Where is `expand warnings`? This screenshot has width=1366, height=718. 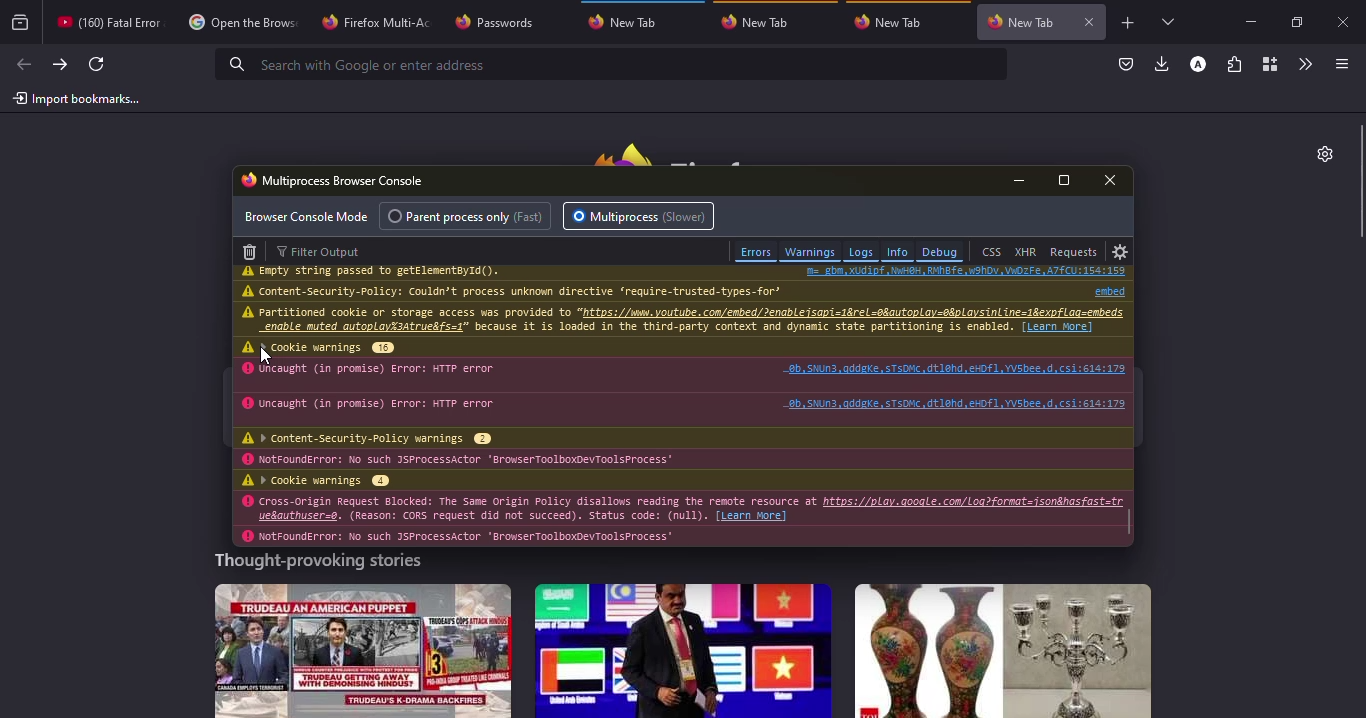 expand warnings is located at coordinates (380, 438).